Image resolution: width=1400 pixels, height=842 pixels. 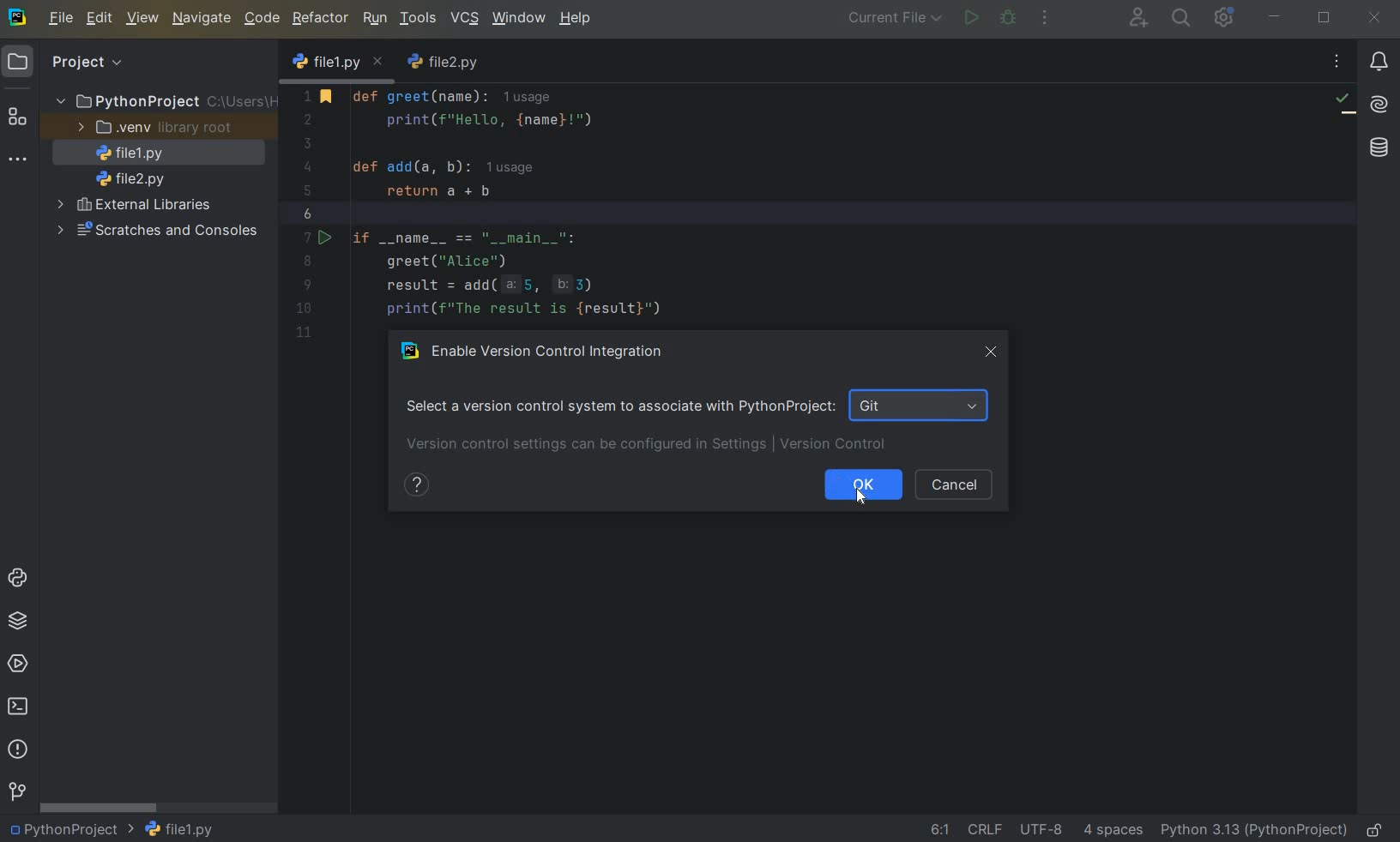 What do you see at coordinates (1043, 19) in the screenshot?
I see `more actions` at bounding box center [1043, 19].